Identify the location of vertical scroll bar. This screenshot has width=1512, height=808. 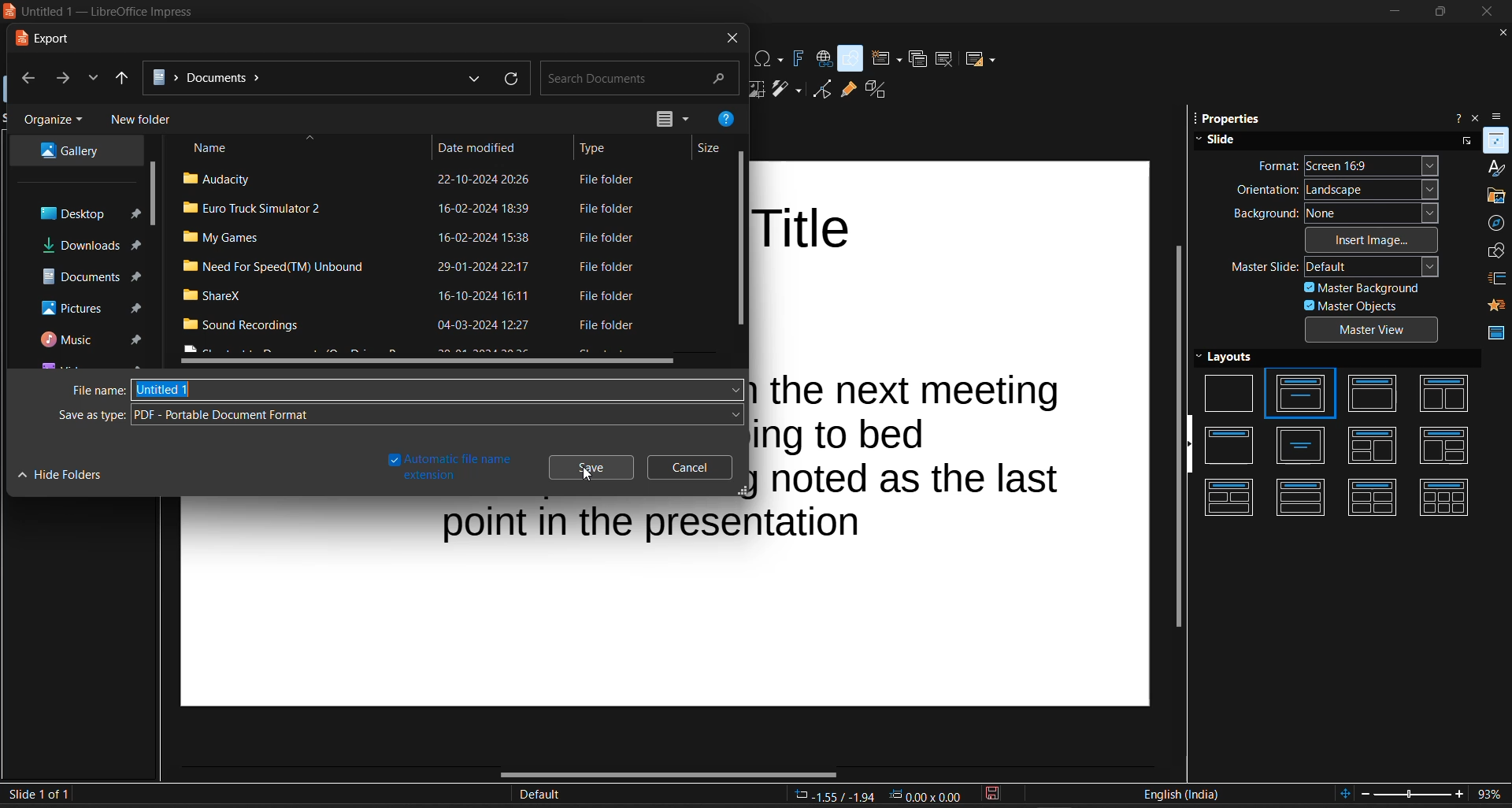
(738, 241).